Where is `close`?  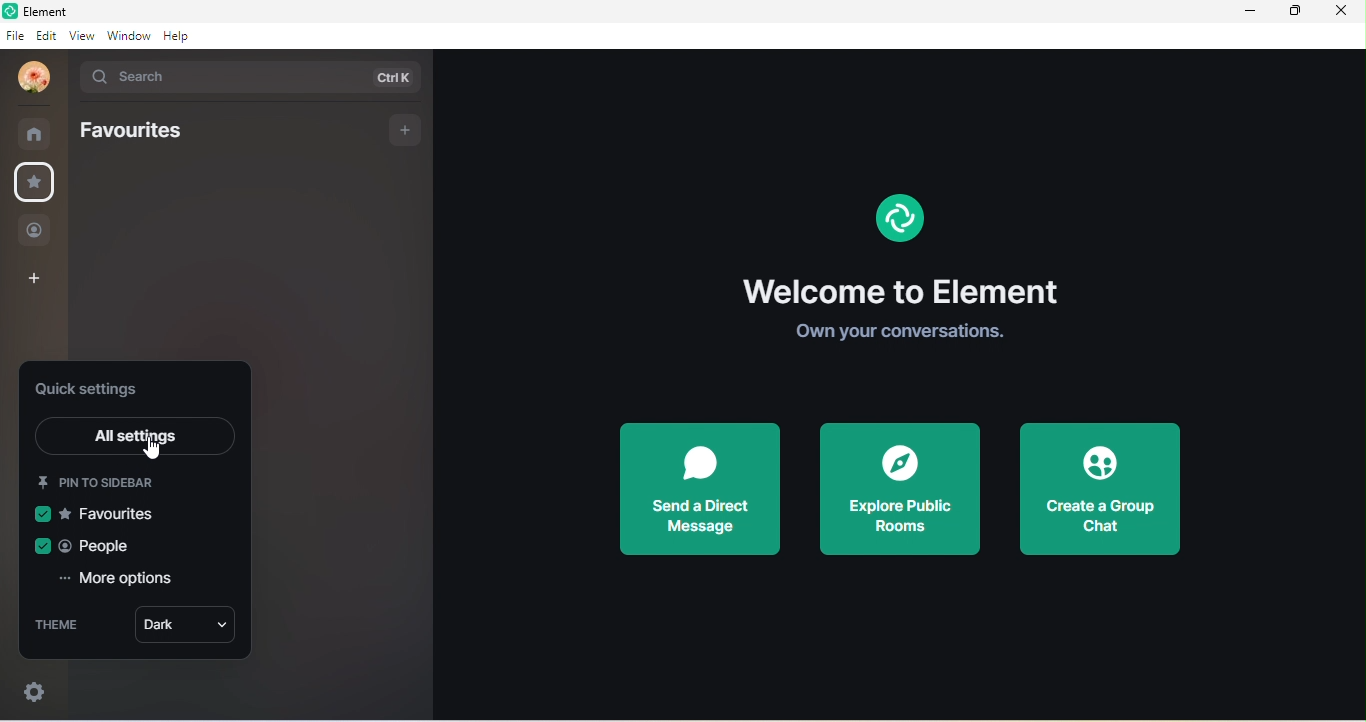
close is located at coordinates (1346, 14).